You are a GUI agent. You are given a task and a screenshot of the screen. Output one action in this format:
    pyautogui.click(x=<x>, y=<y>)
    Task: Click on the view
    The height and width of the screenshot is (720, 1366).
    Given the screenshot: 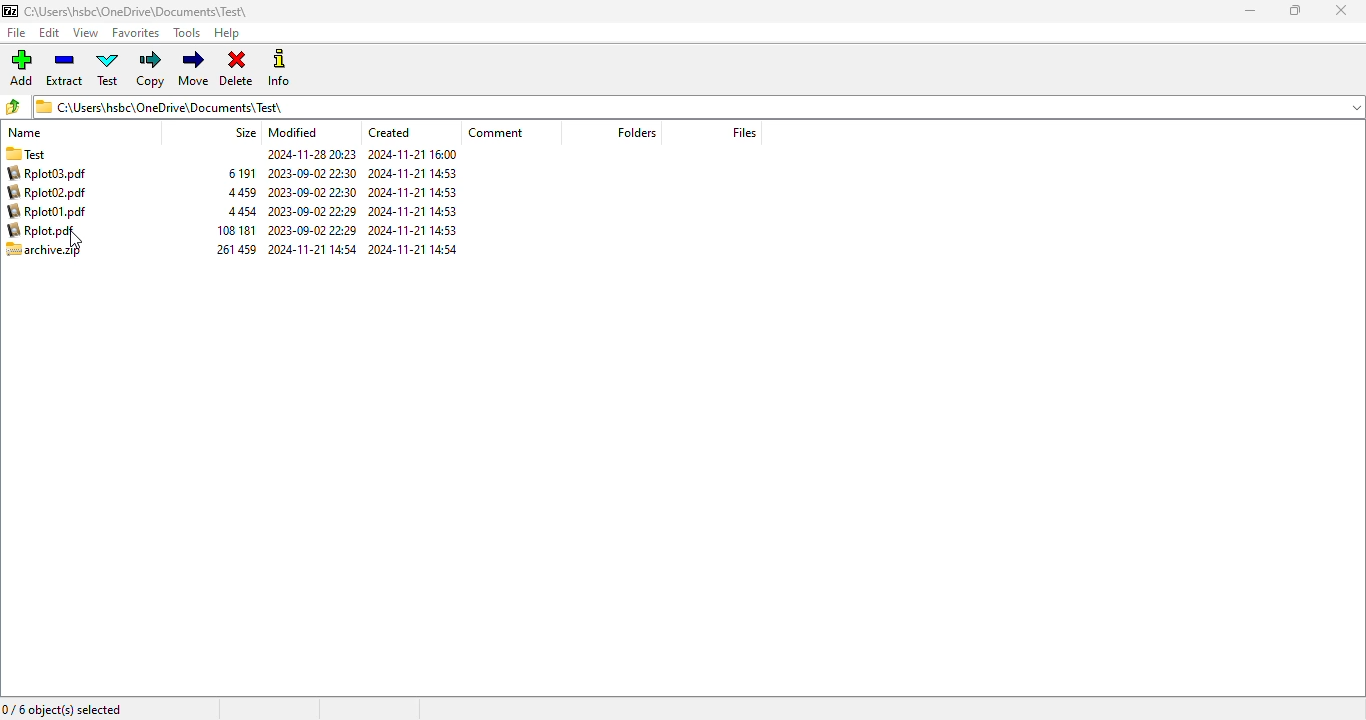 What is the action you would take?
    pyautogui.click(x=85, y=33)
    